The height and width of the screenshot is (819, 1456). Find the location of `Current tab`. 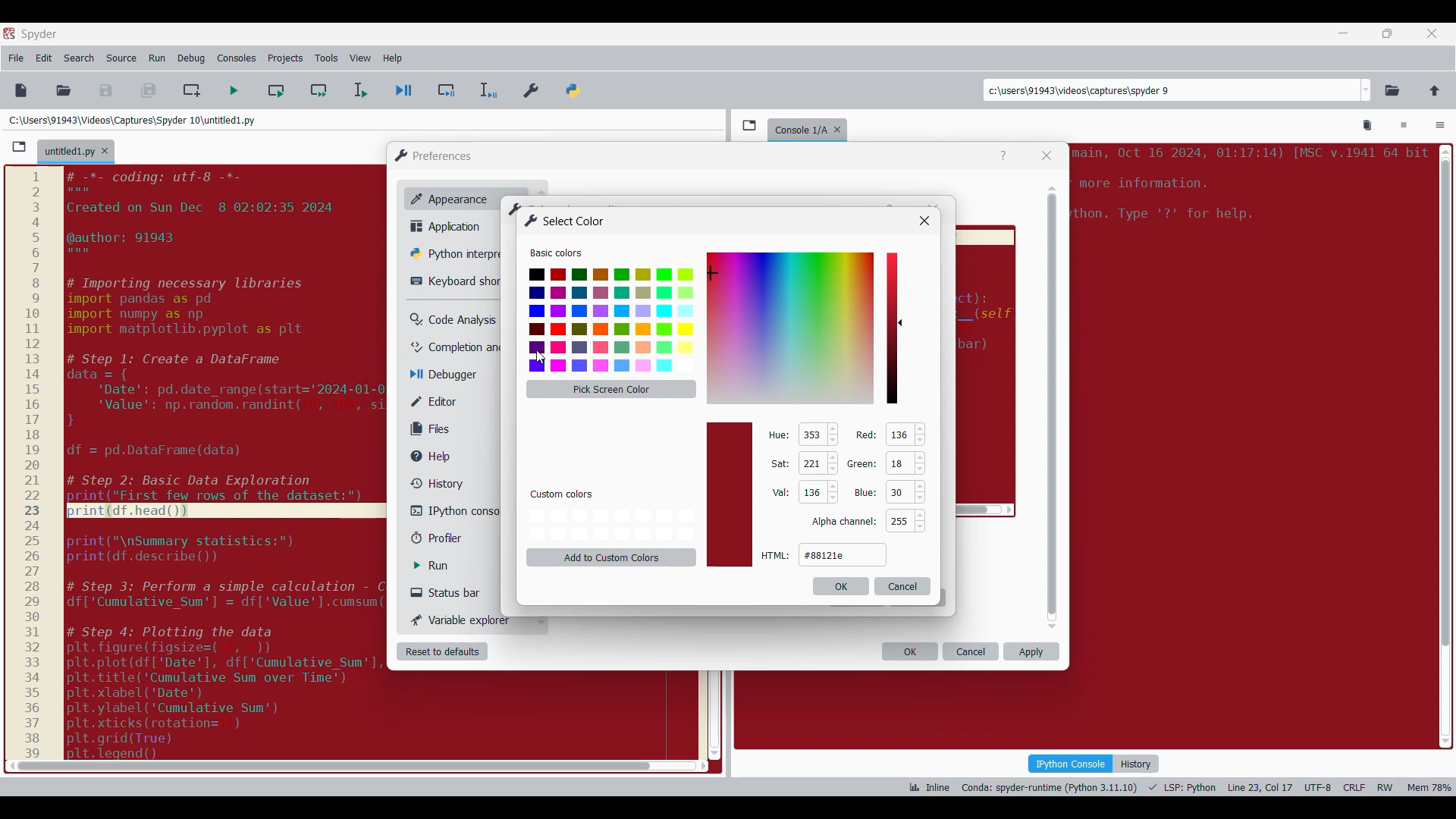

Current tab is located at coordinates (69, 152).